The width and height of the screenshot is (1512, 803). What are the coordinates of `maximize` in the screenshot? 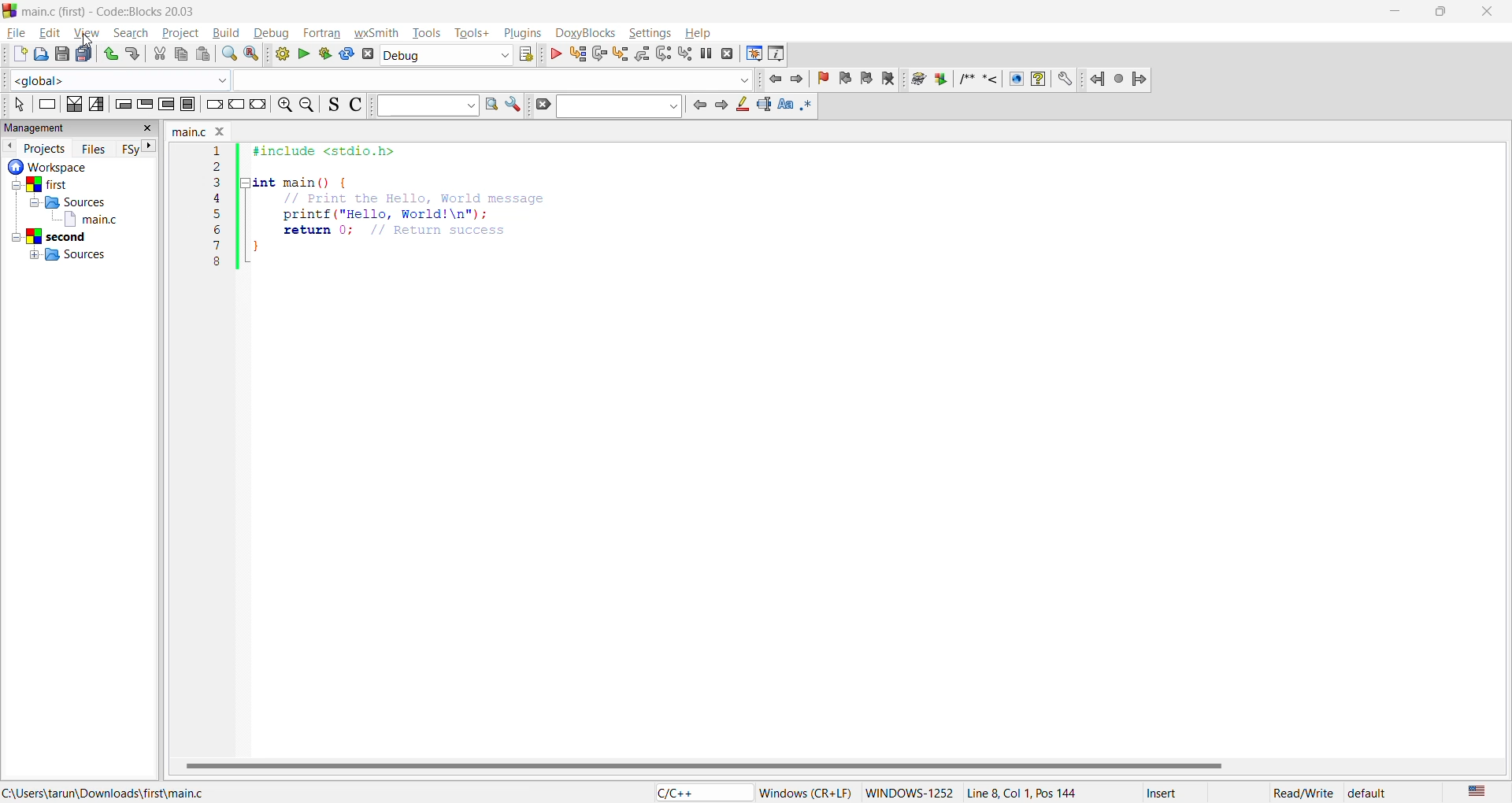 It's located at (1440, 9).